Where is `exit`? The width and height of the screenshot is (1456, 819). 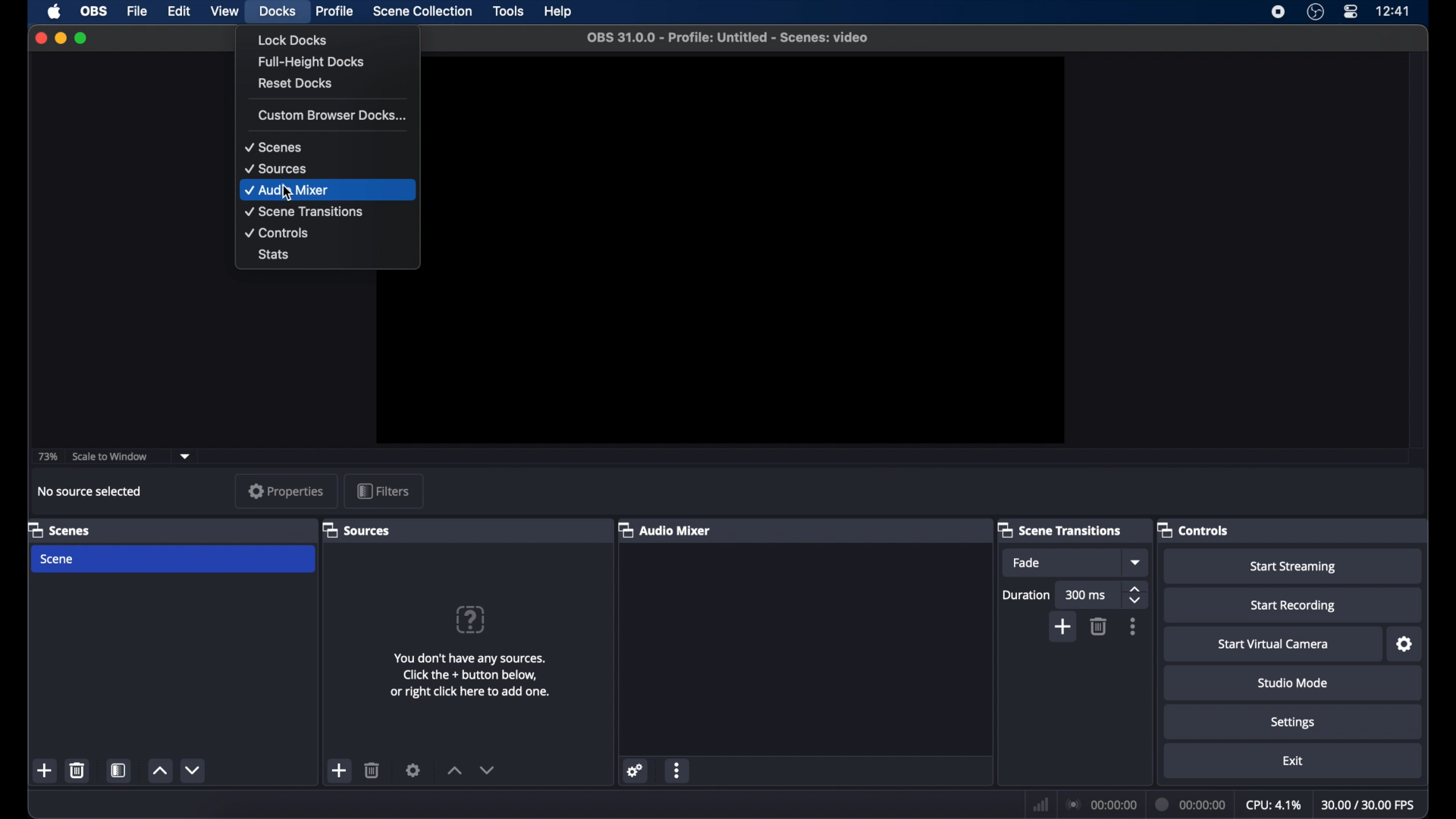
exit is located at coordinates (1293, 762).